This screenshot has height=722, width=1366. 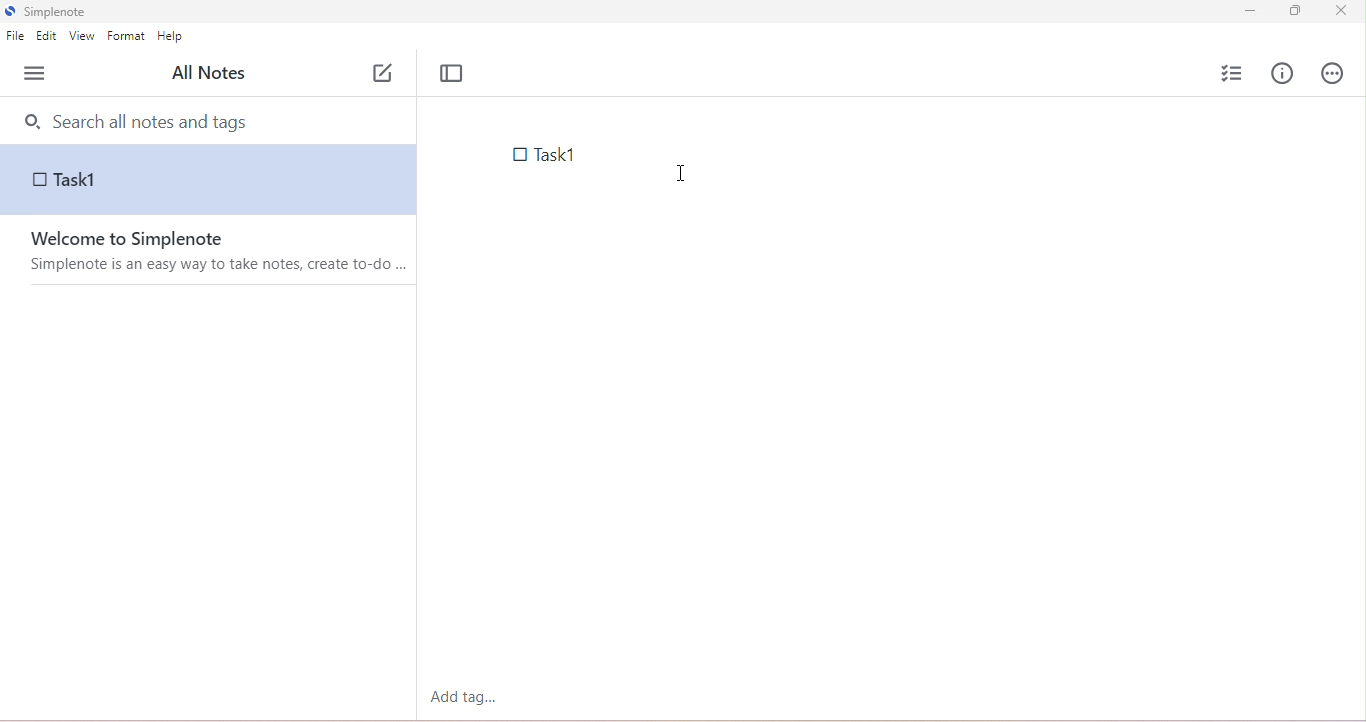 What do you see at coordinates (1234, 73) in the screenshot?
I see `insert checklist` at bounding box center [1234, 73].